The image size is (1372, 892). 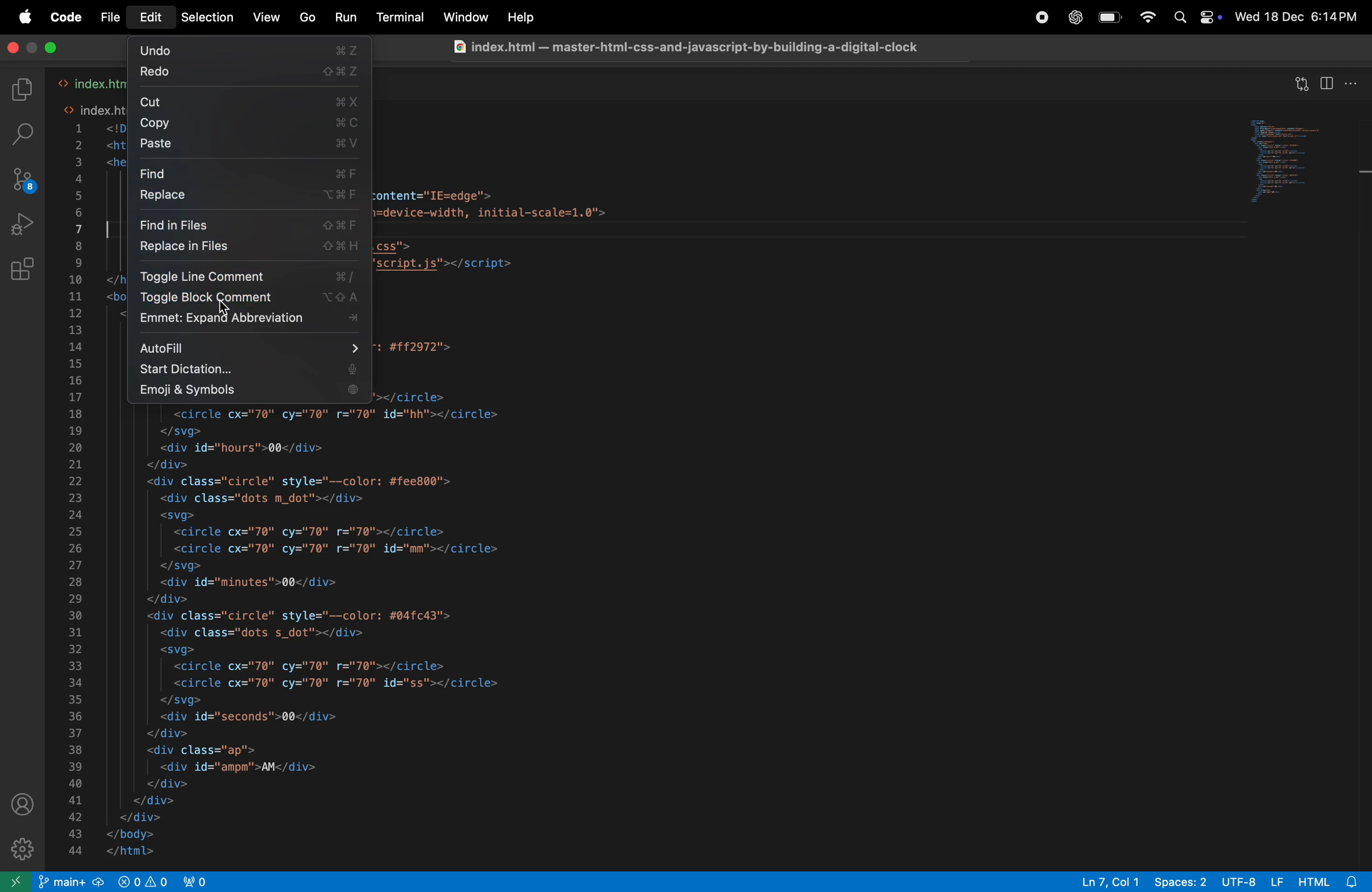 I want to click on start didctation, so click(x=250, y=369).